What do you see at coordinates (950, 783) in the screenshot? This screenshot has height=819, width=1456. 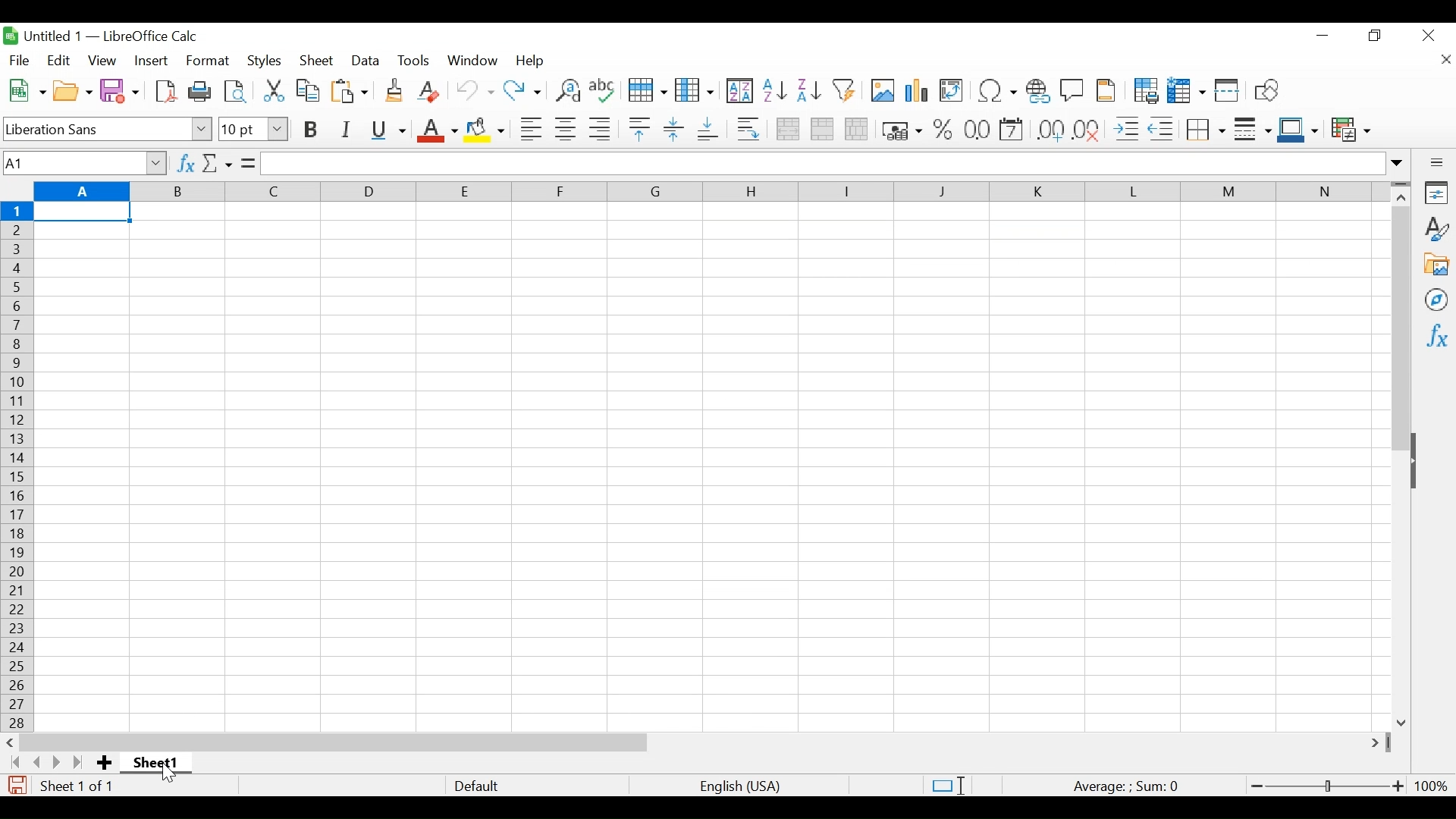 I see `Standard Selection` at bounding box center [950, 783].